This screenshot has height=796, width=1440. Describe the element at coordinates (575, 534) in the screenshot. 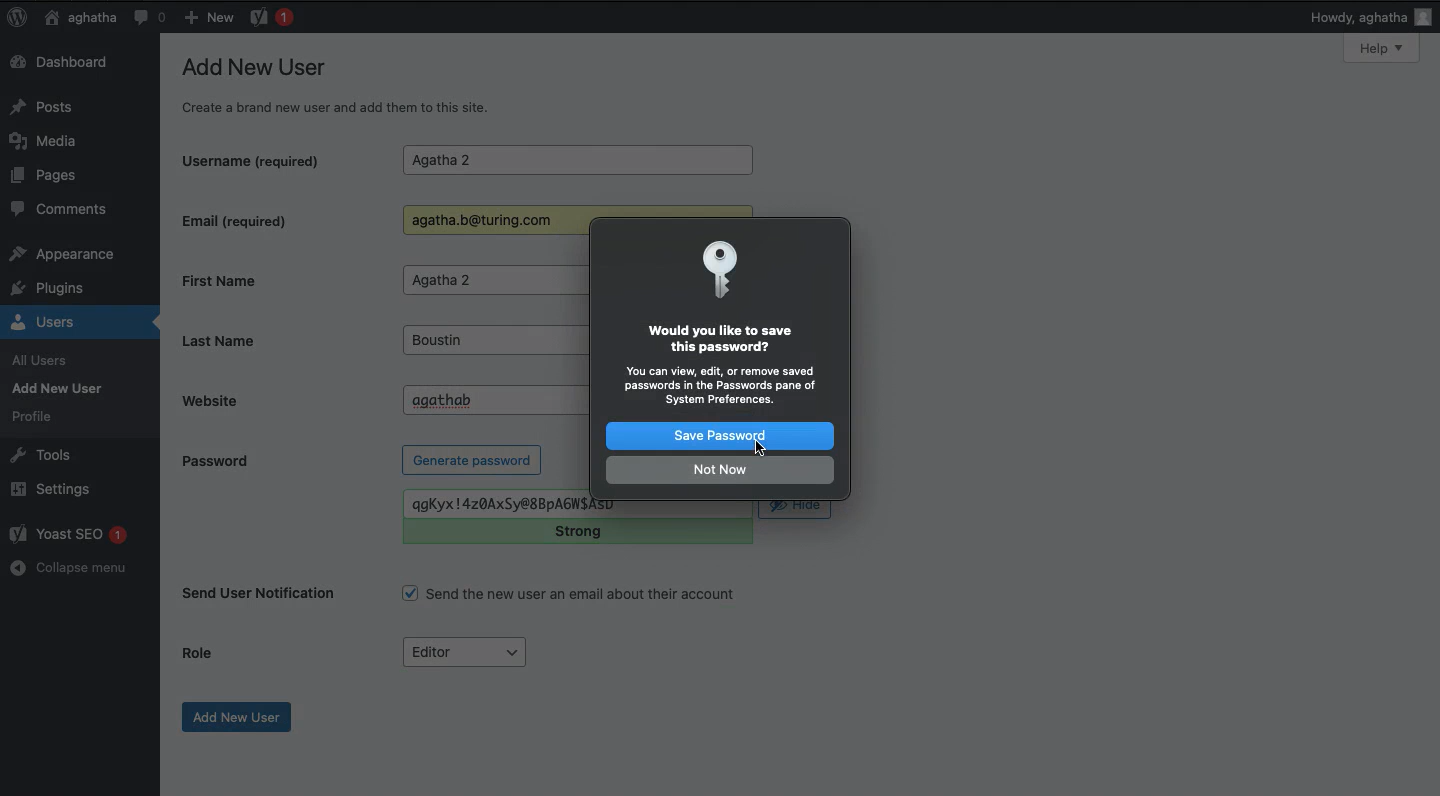

I see `Strong` at that location.